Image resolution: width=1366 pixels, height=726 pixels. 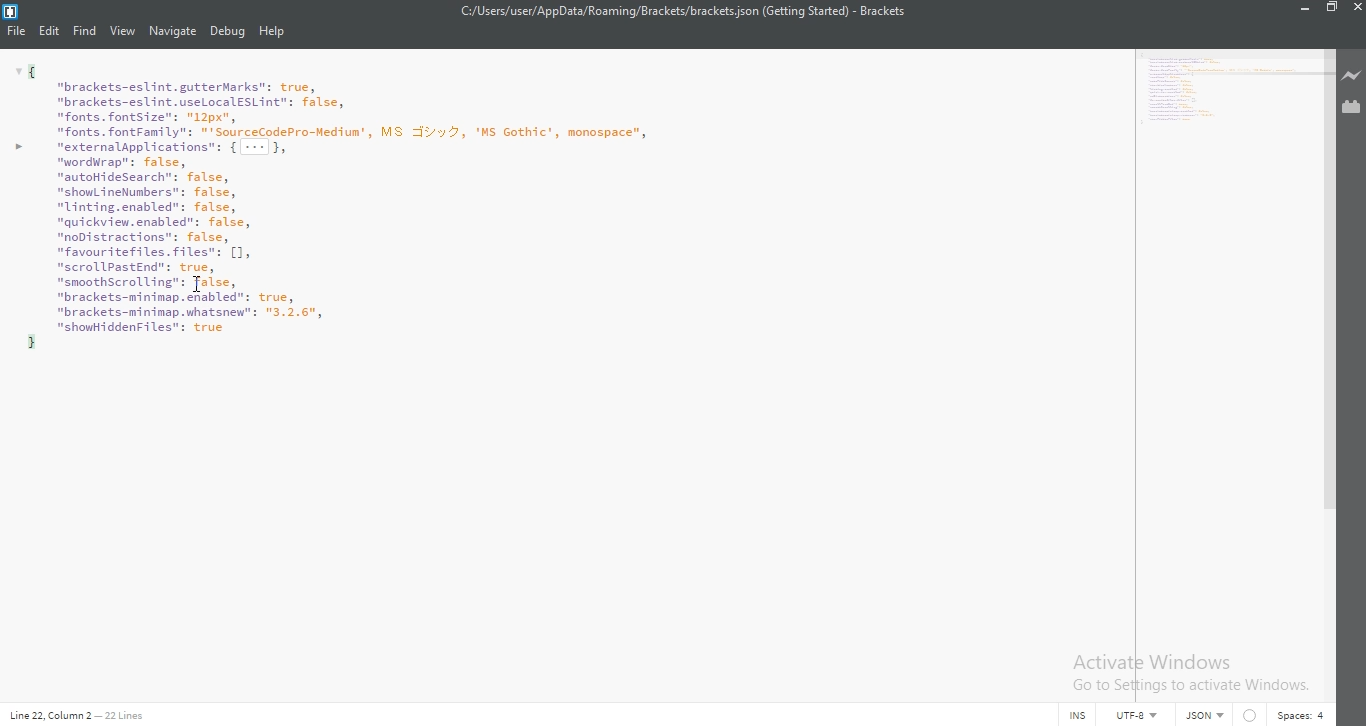 What do you see at coordinates (227, 33) in the screenshot?
I see `Debug` at bounding box center [227, 33].